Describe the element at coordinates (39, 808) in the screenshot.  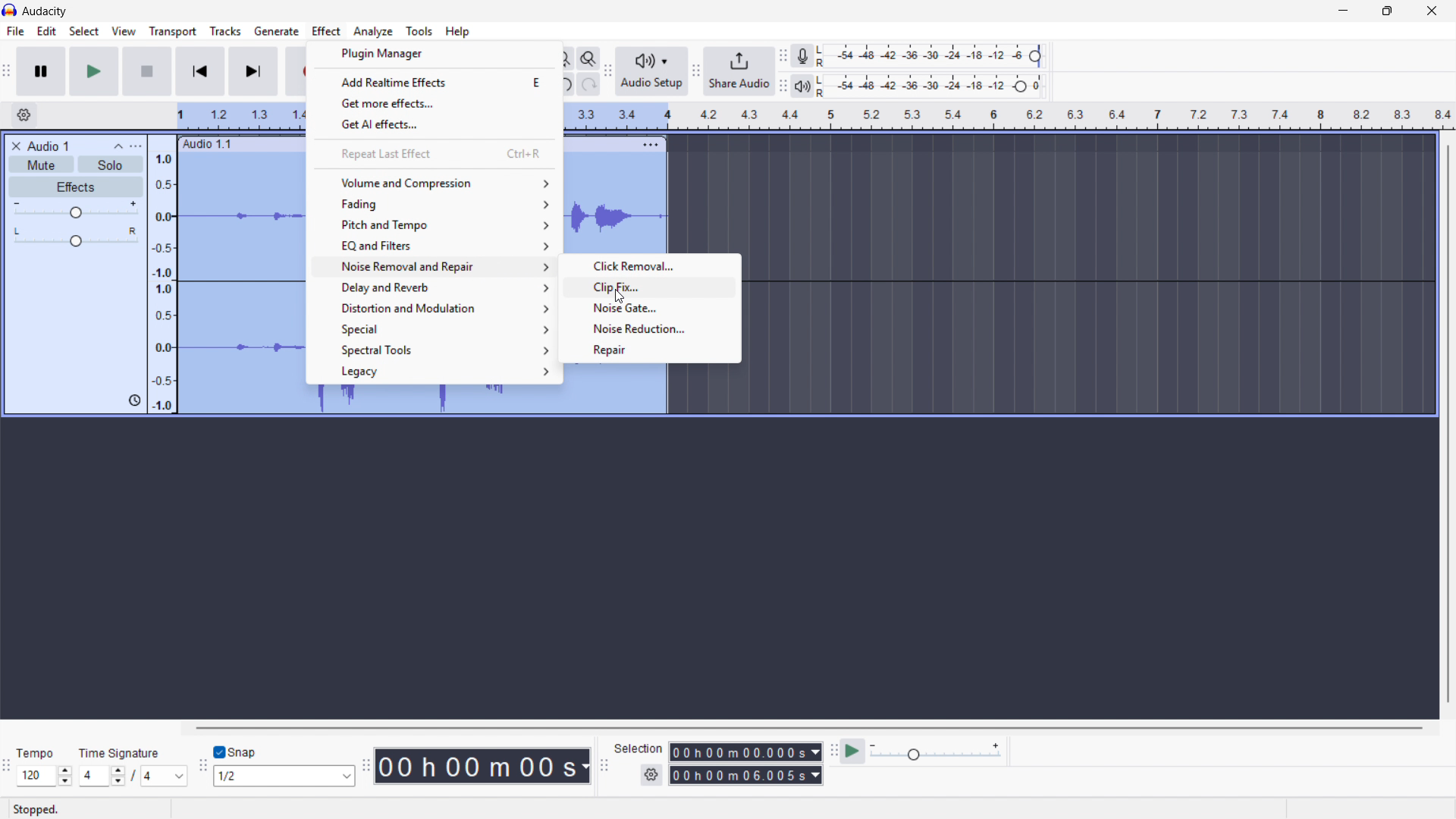
I see `stopped` at that location.